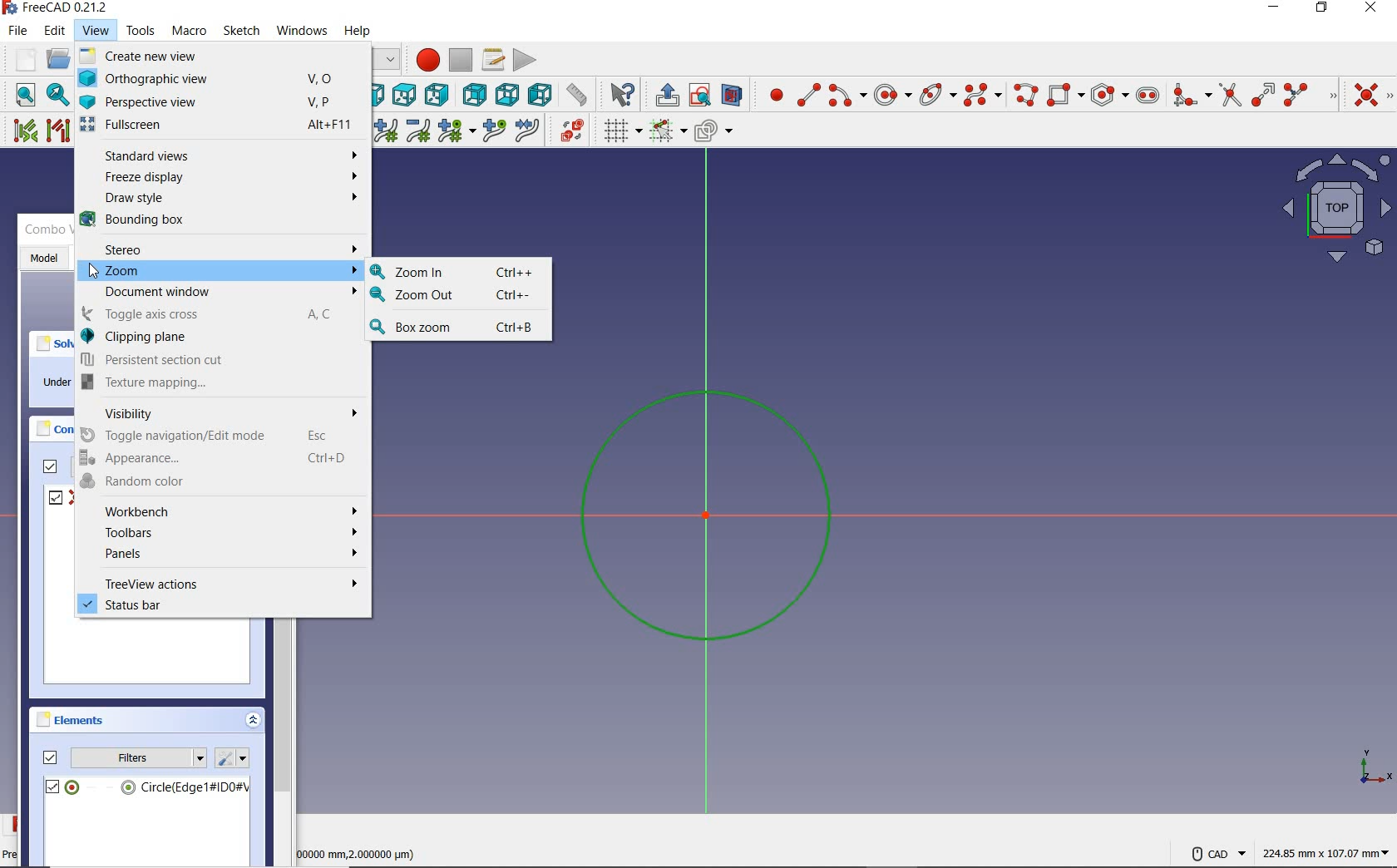 Image resolution: width=1397 pixels, height=868 pixels. Describe the element at coordinates (526, 131) in the screenshot. I see `join curves` at that location.